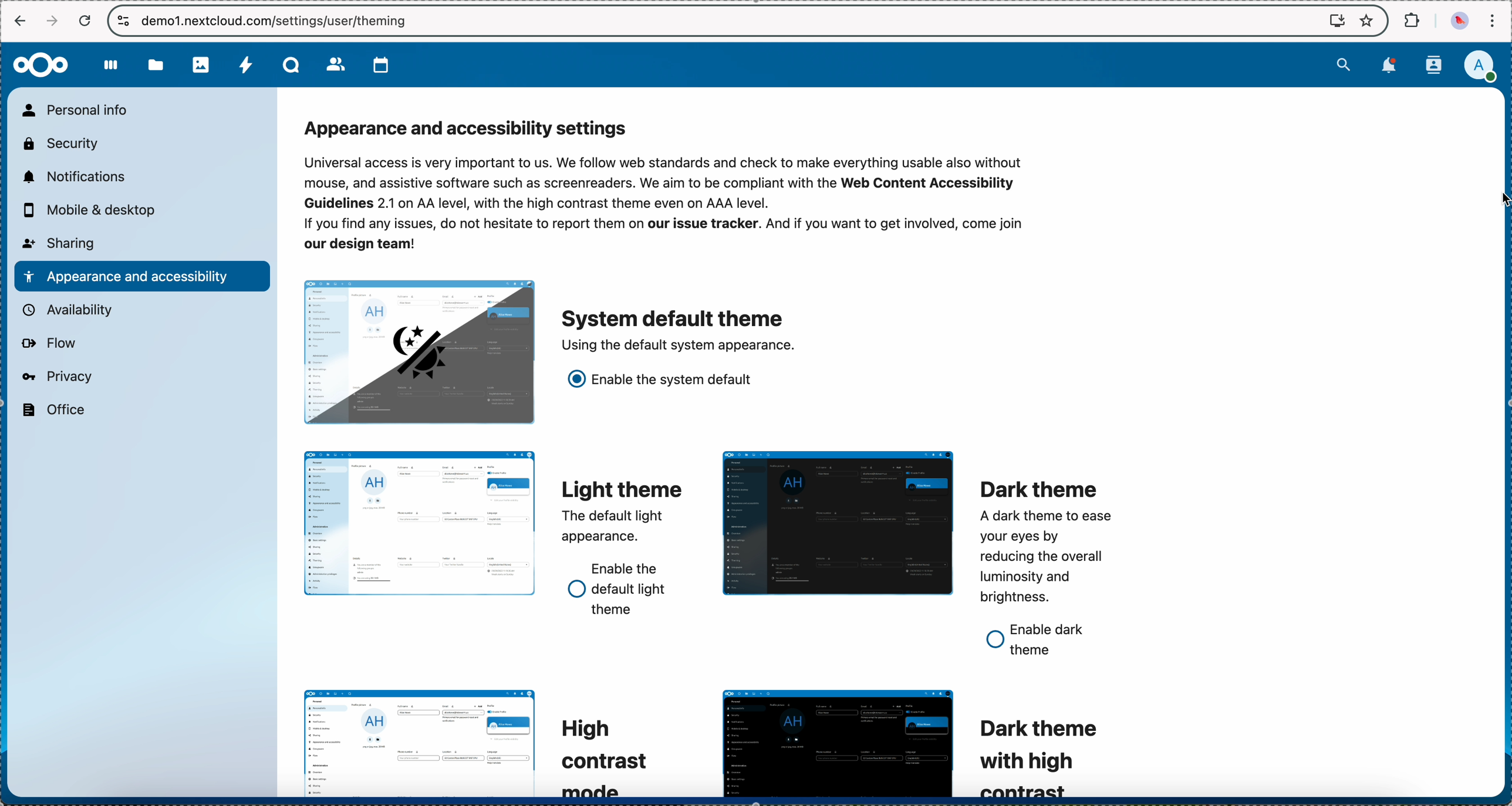  What do you see at coordinates (420, 742) in the screenshot?
I see `high contrast mode preview` at bounding box center [420, 742].